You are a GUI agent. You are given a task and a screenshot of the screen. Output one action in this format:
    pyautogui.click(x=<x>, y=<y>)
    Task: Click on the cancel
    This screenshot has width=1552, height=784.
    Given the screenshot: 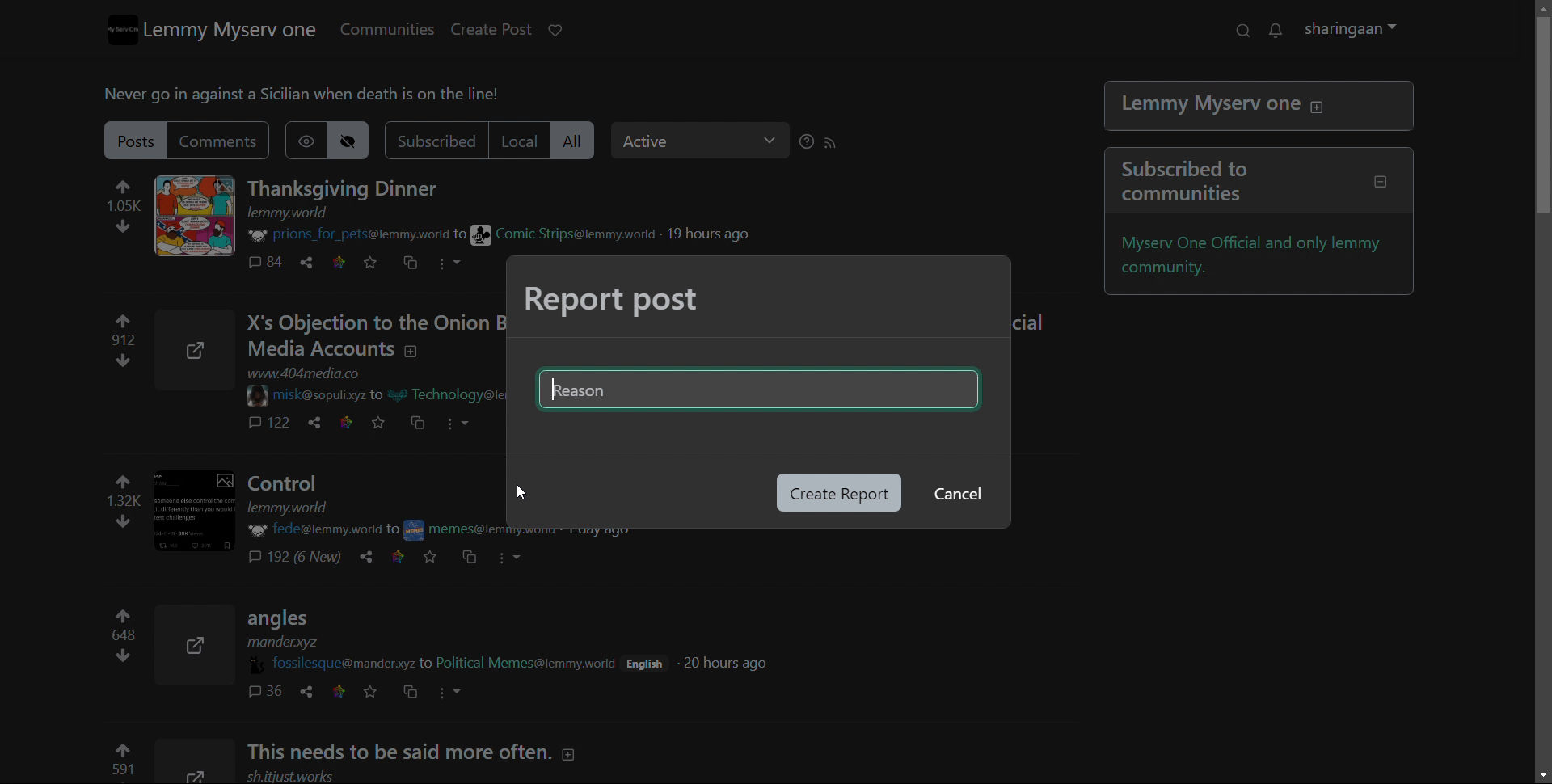 What is the action you would take?
    pyautogui.click(x=955, y=495)
    